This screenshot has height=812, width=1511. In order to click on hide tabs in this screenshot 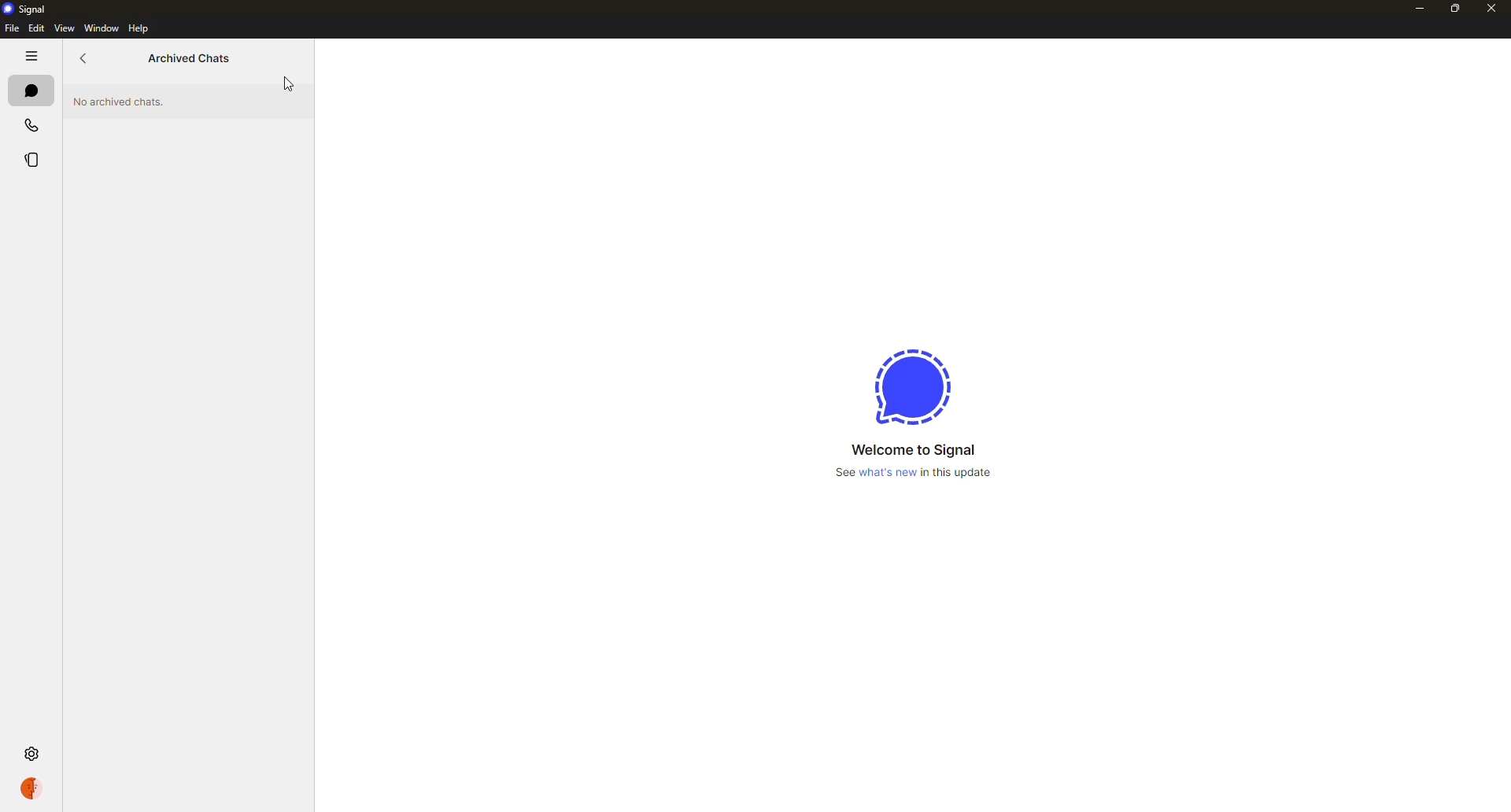, I will do `click(31, 57)`.